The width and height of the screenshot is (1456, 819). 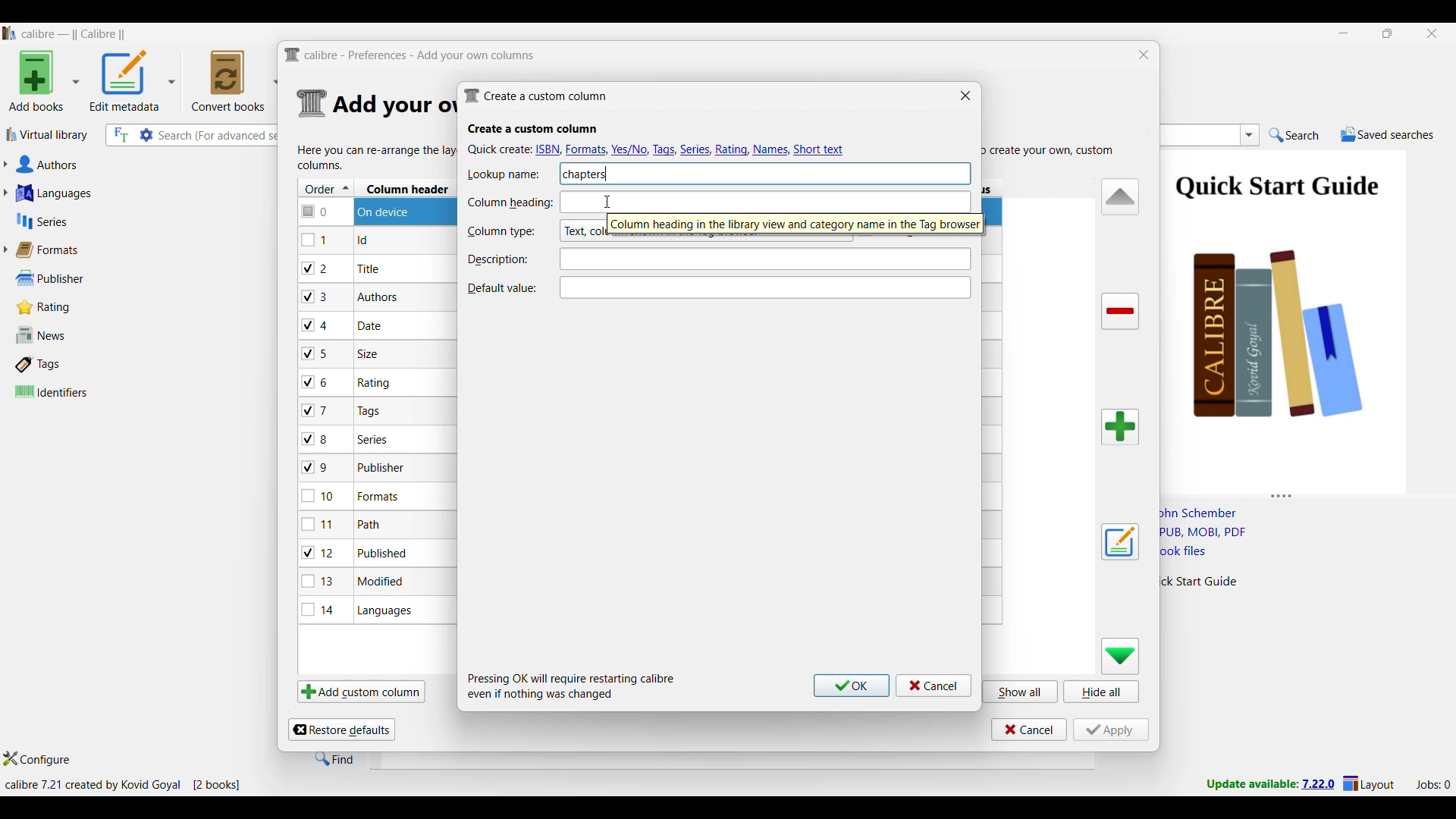 I want to click on Advanced search, so click(x=146, y=135).